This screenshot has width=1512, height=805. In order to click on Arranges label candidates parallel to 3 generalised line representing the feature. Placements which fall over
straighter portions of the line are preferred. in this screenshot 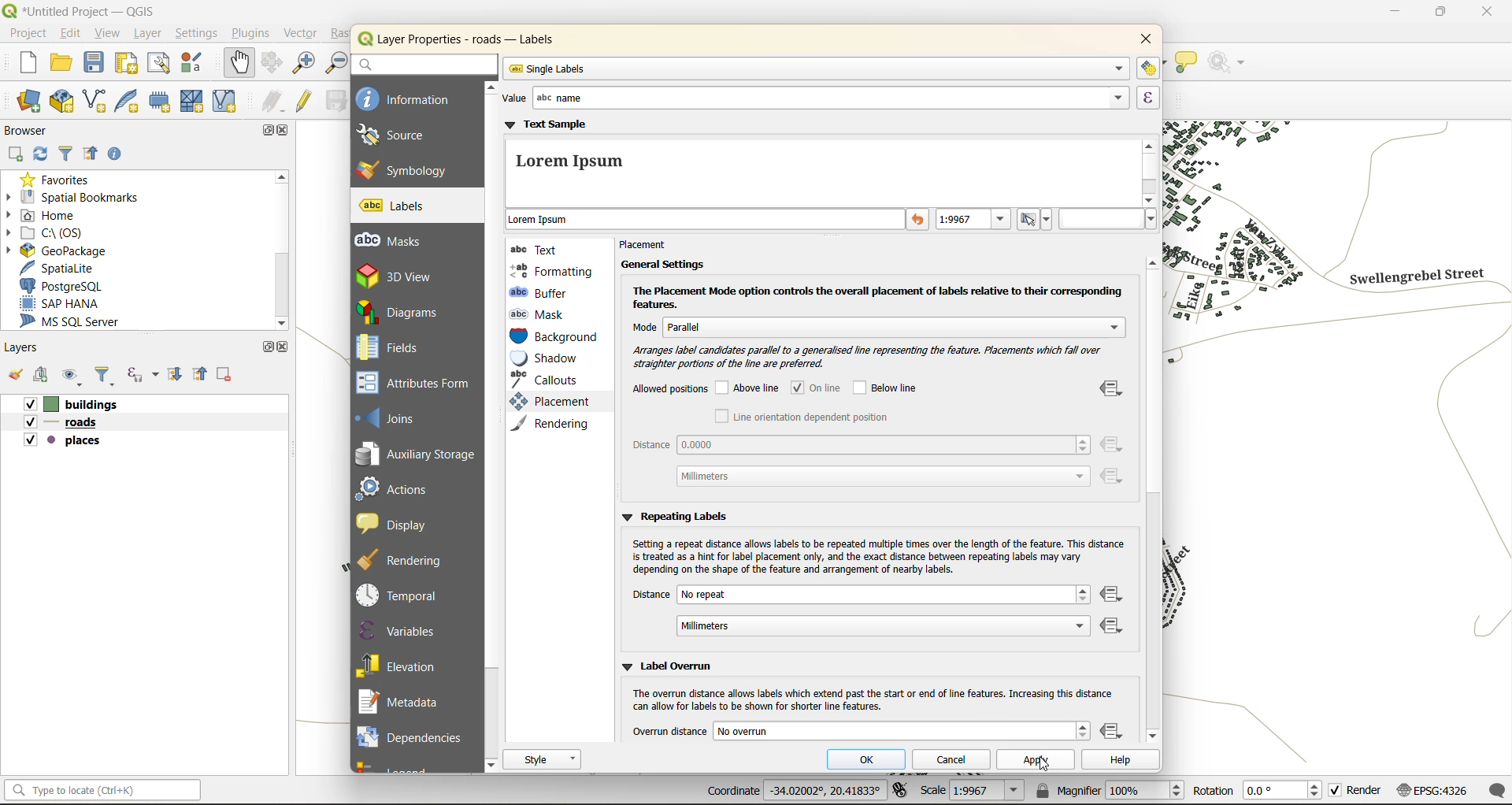, I will do `click(864, 357)`.